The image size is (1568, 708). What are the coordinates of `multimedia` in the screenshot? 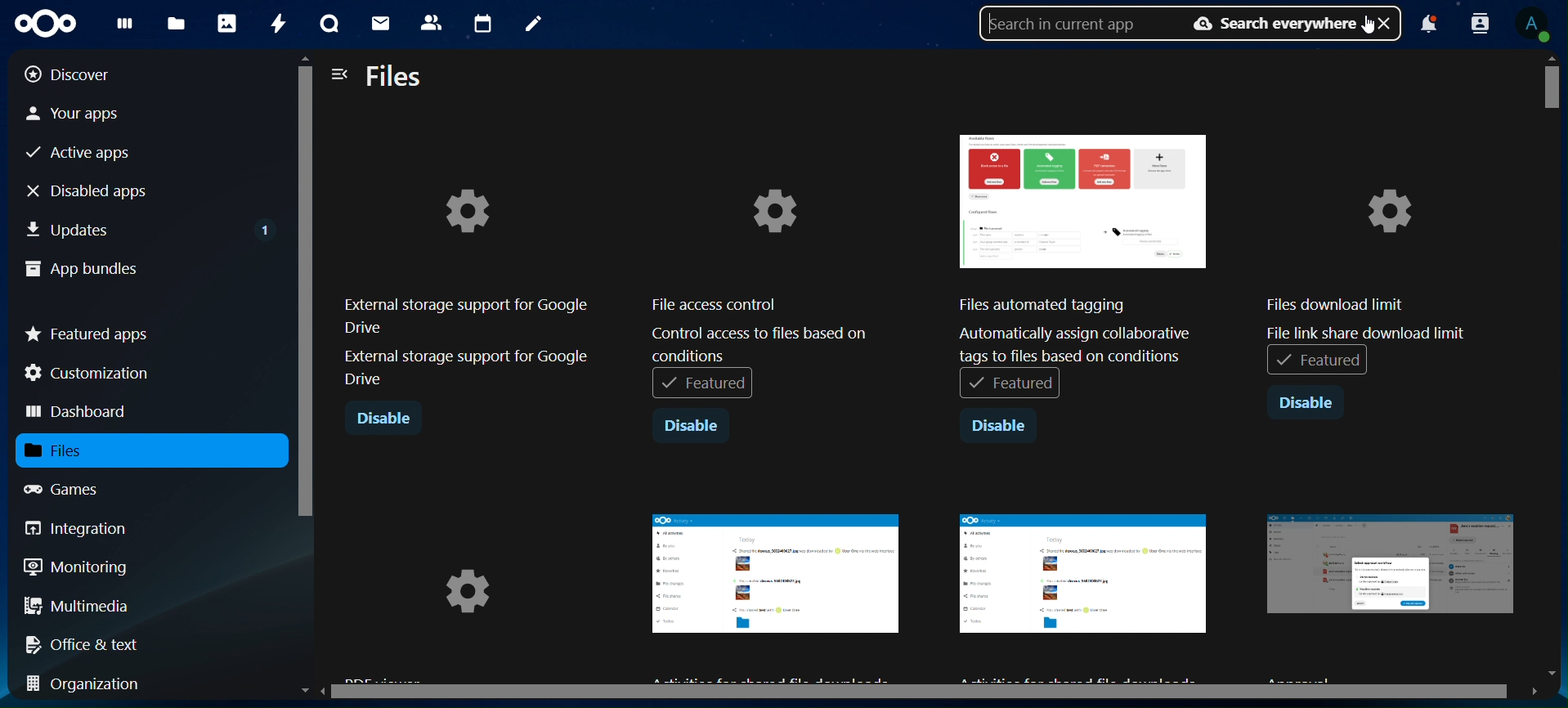 It's located at (78, 608).